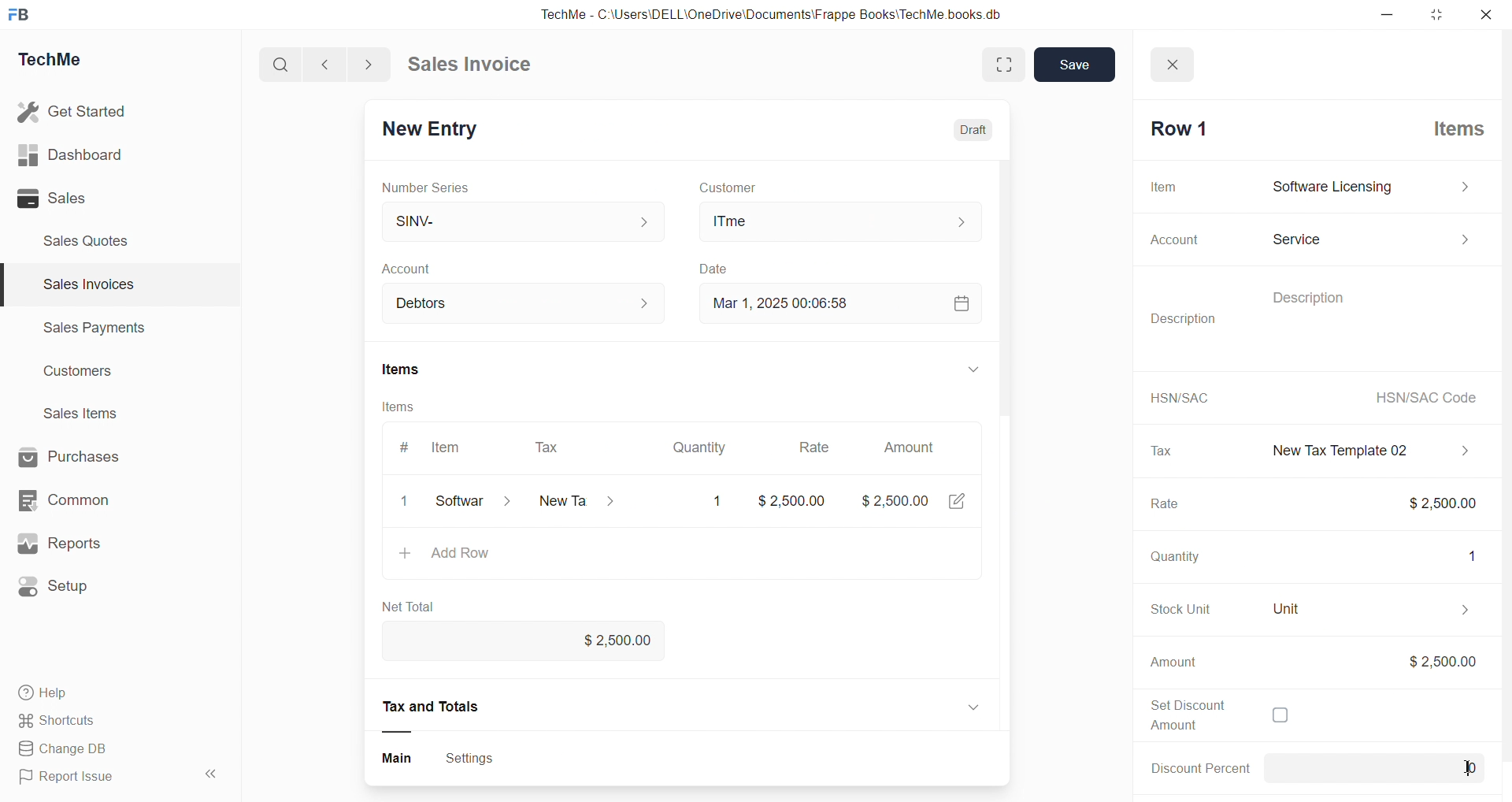  I want to click on B& Change DB, so click(69, 750).